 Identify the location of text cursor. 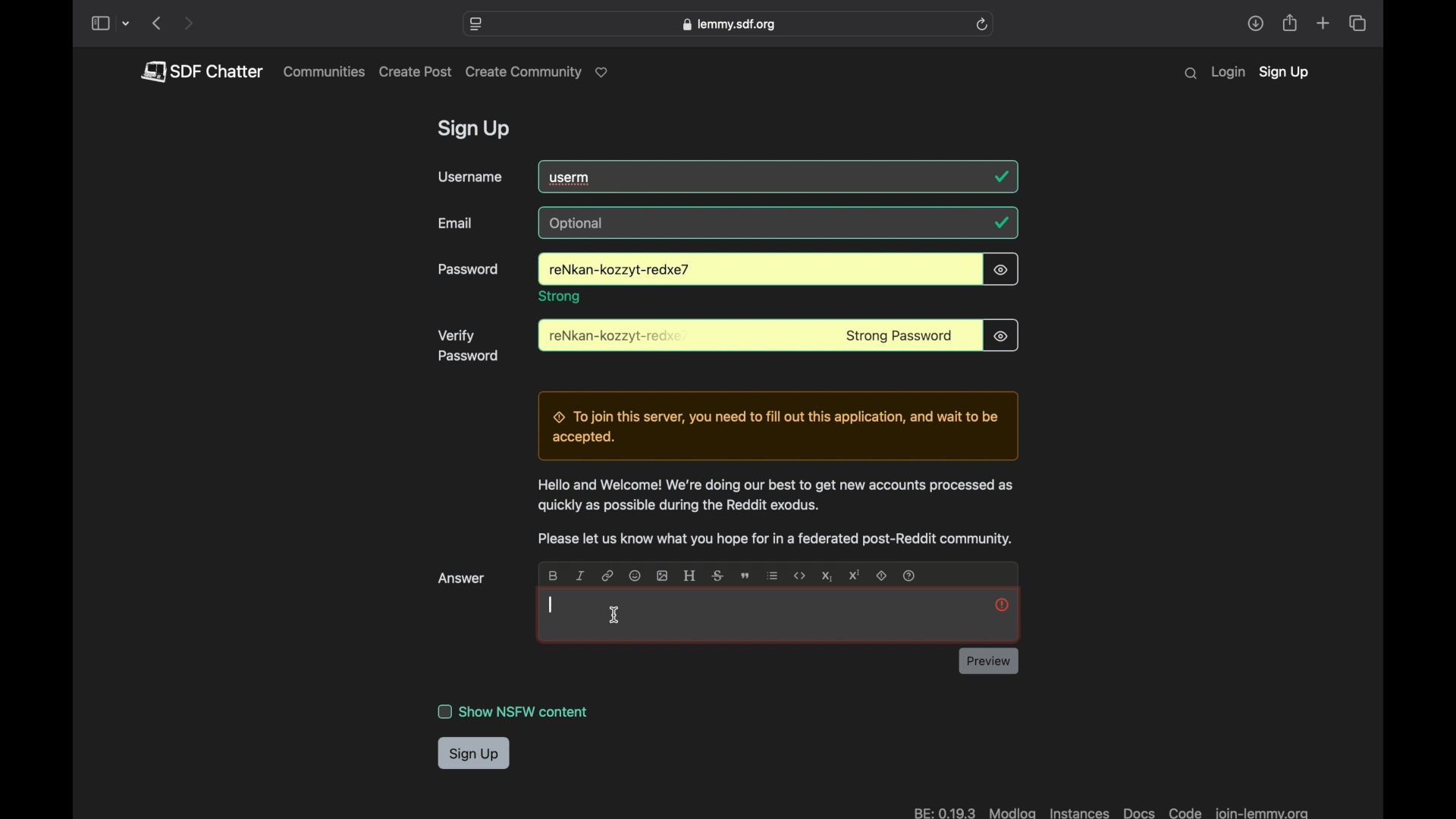
(551, 606).